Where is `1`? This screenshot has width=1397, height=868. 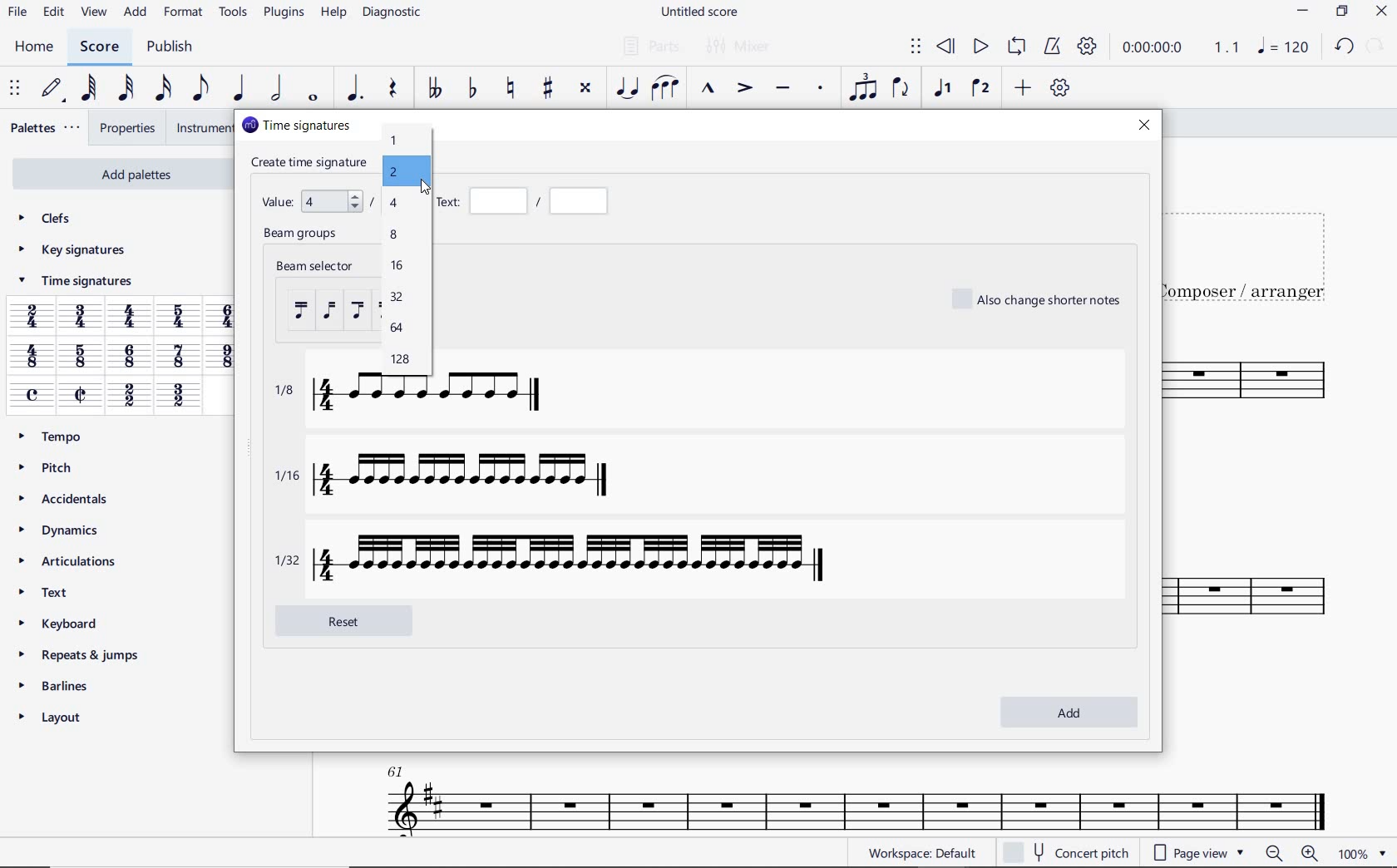
1 is located at coordinates (396, 142).